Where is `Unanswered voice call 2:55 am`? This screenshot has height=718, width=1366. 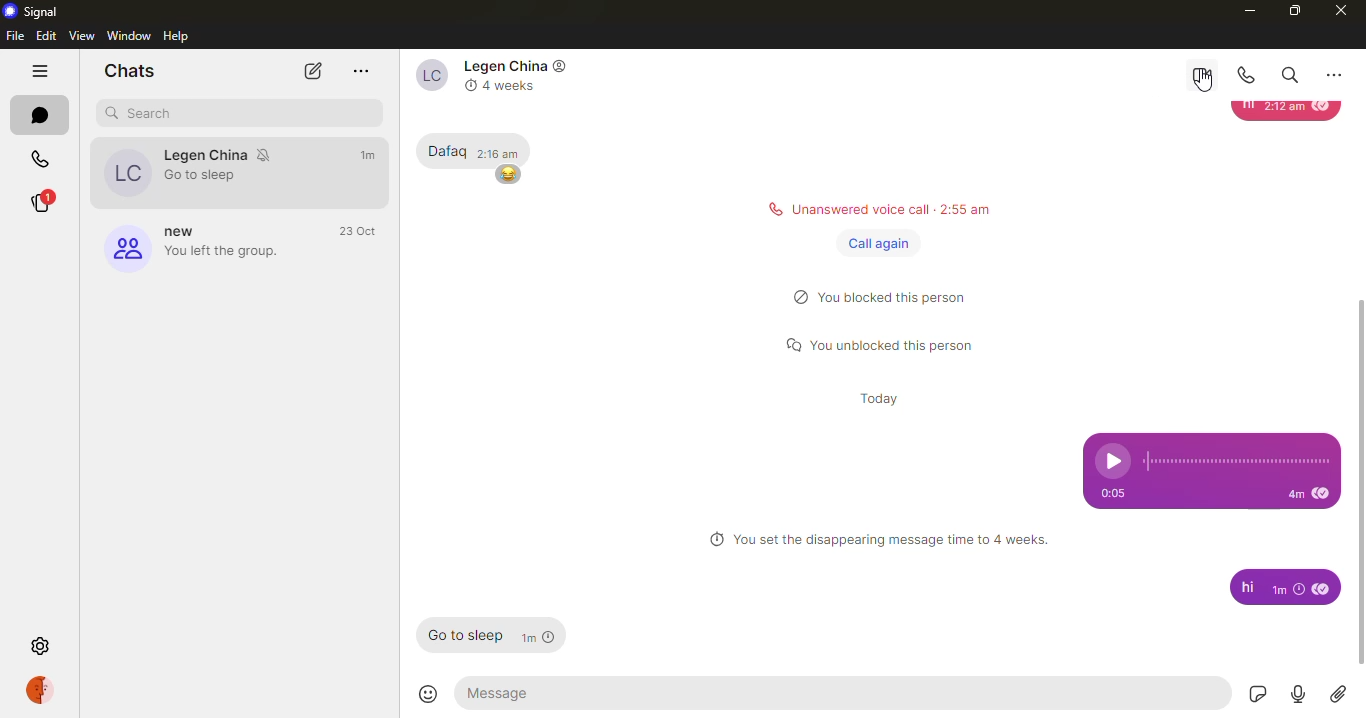
Unanswered voice call 2:55 am is located at coordinates (897, 207).